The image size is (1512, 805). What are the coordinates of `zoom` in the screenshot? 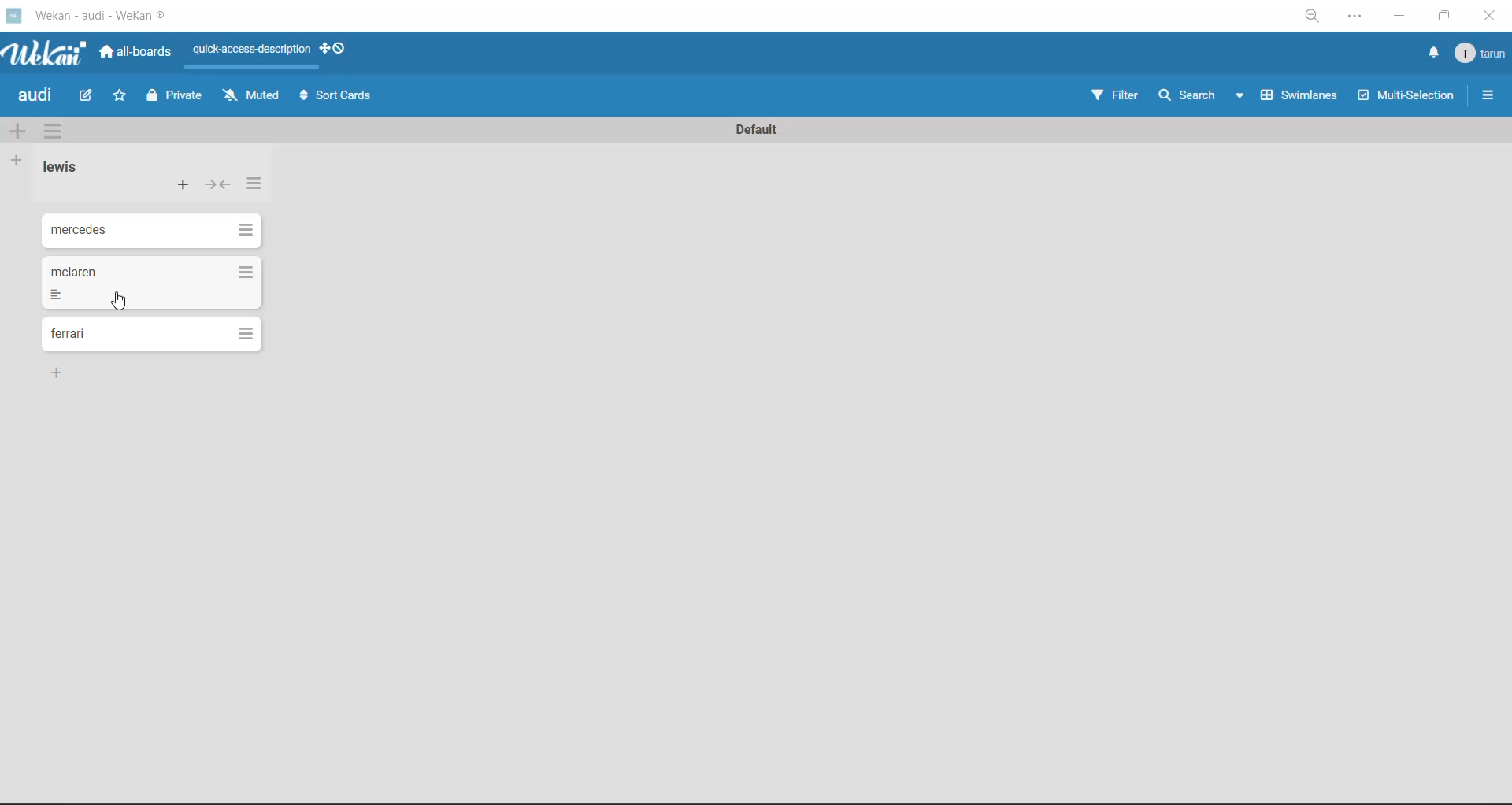 It's located at (1312, 17).